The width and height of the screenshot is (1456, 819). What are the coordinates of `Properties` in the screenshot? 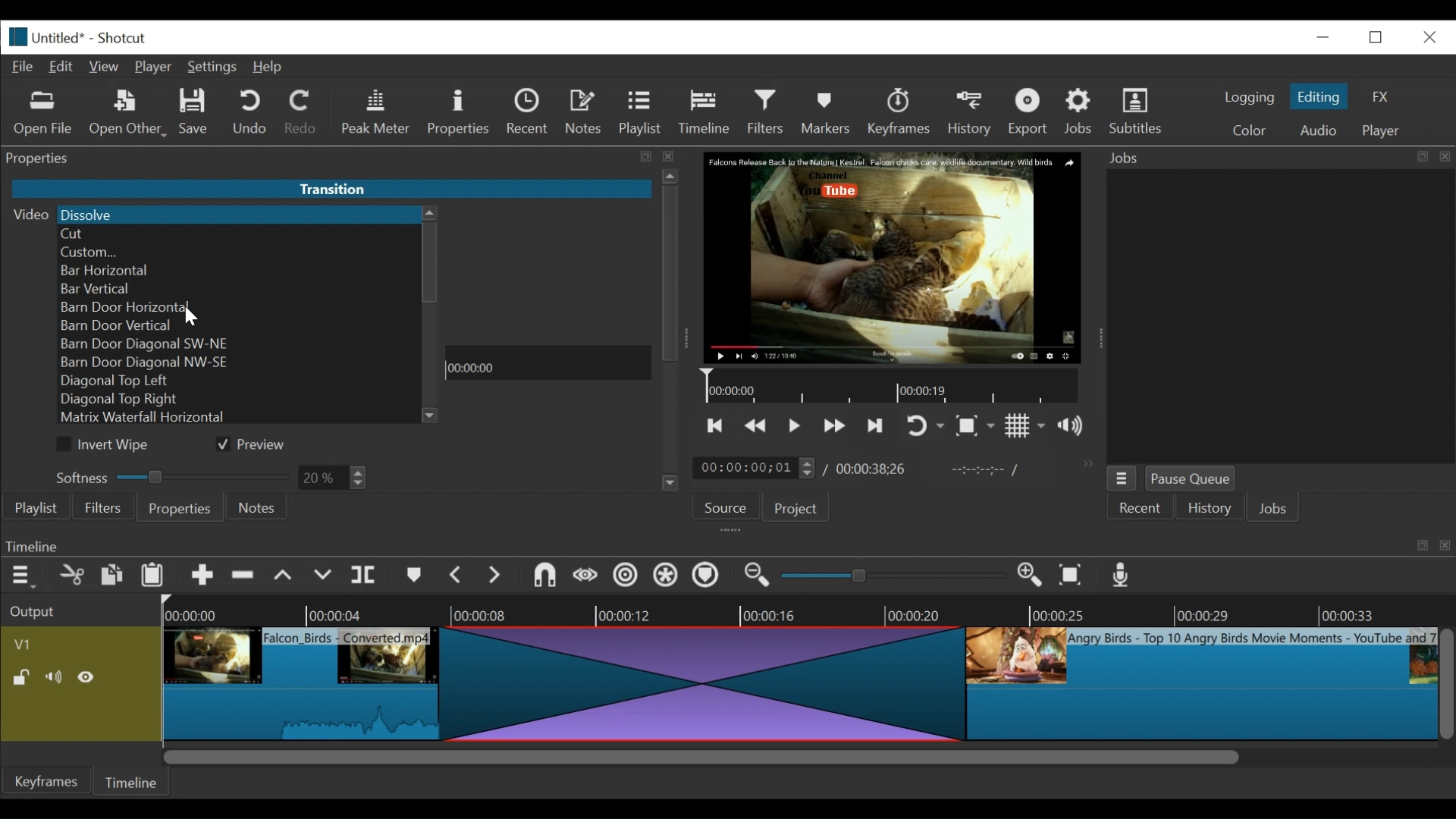 It's located at (179, 509).